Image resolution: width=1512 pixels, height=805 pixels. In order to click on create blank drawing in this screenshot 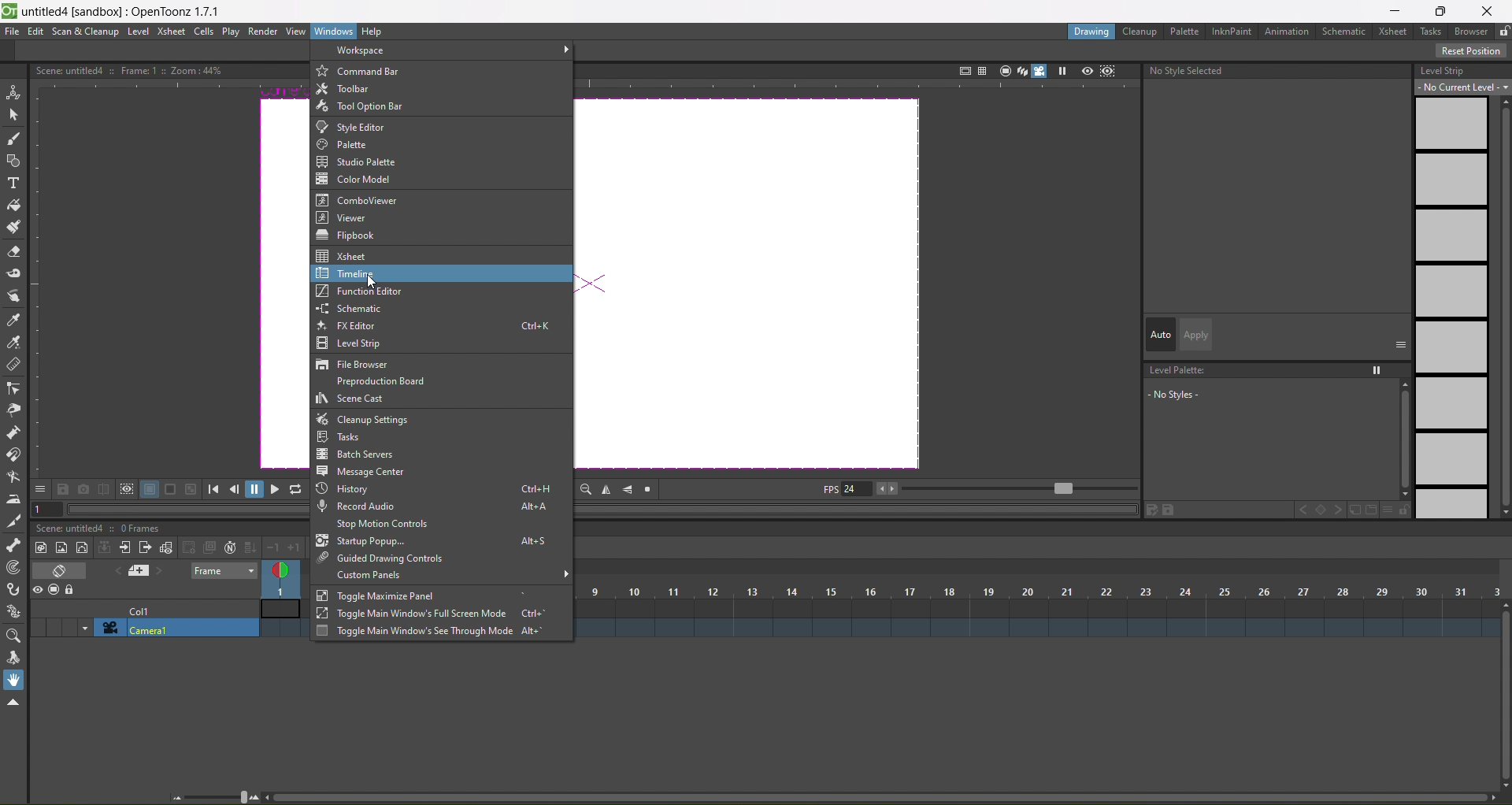, I will do `click(198, 547)`.